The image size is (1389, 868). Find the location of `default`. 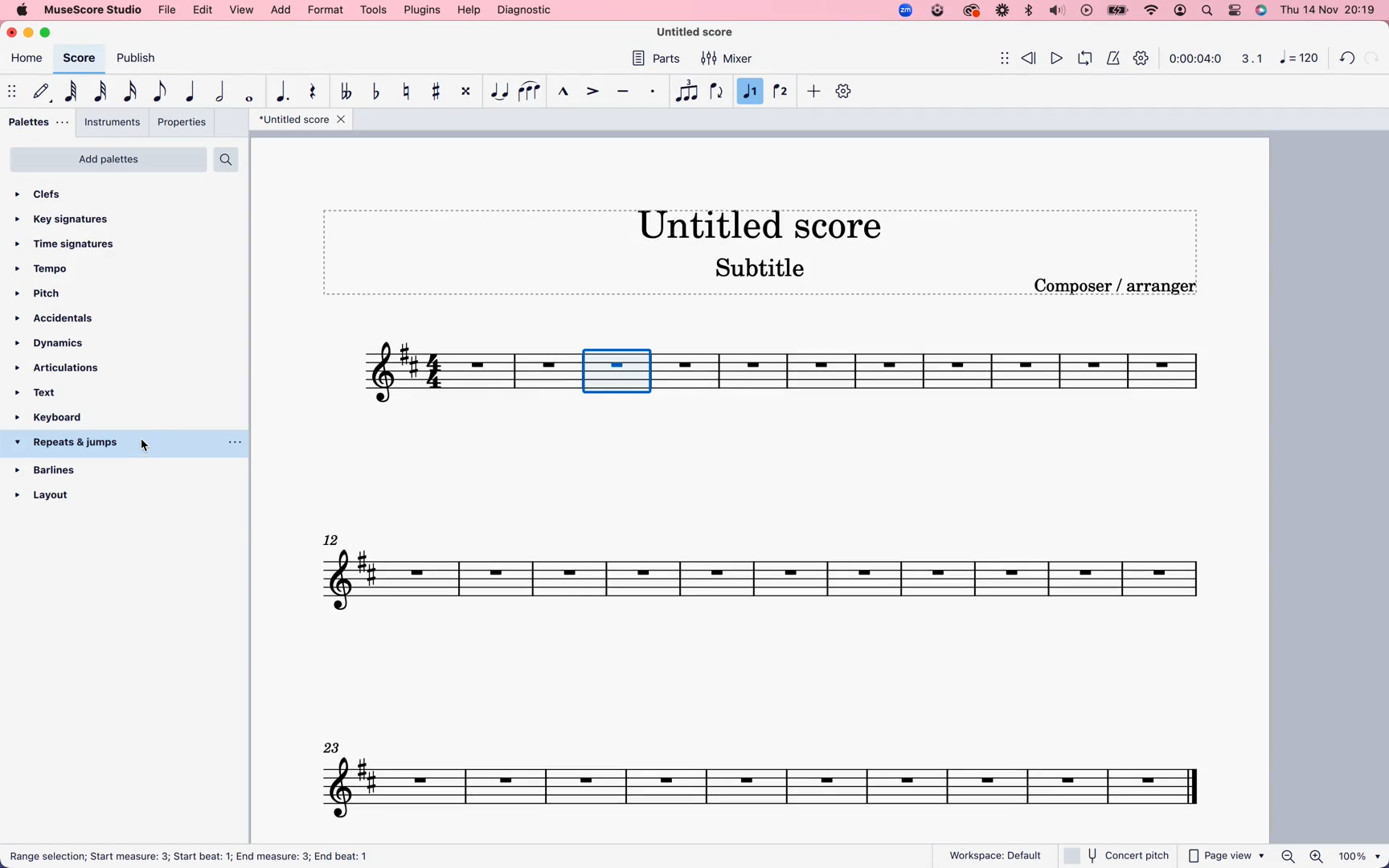

default is located at coordinates (40, 92).